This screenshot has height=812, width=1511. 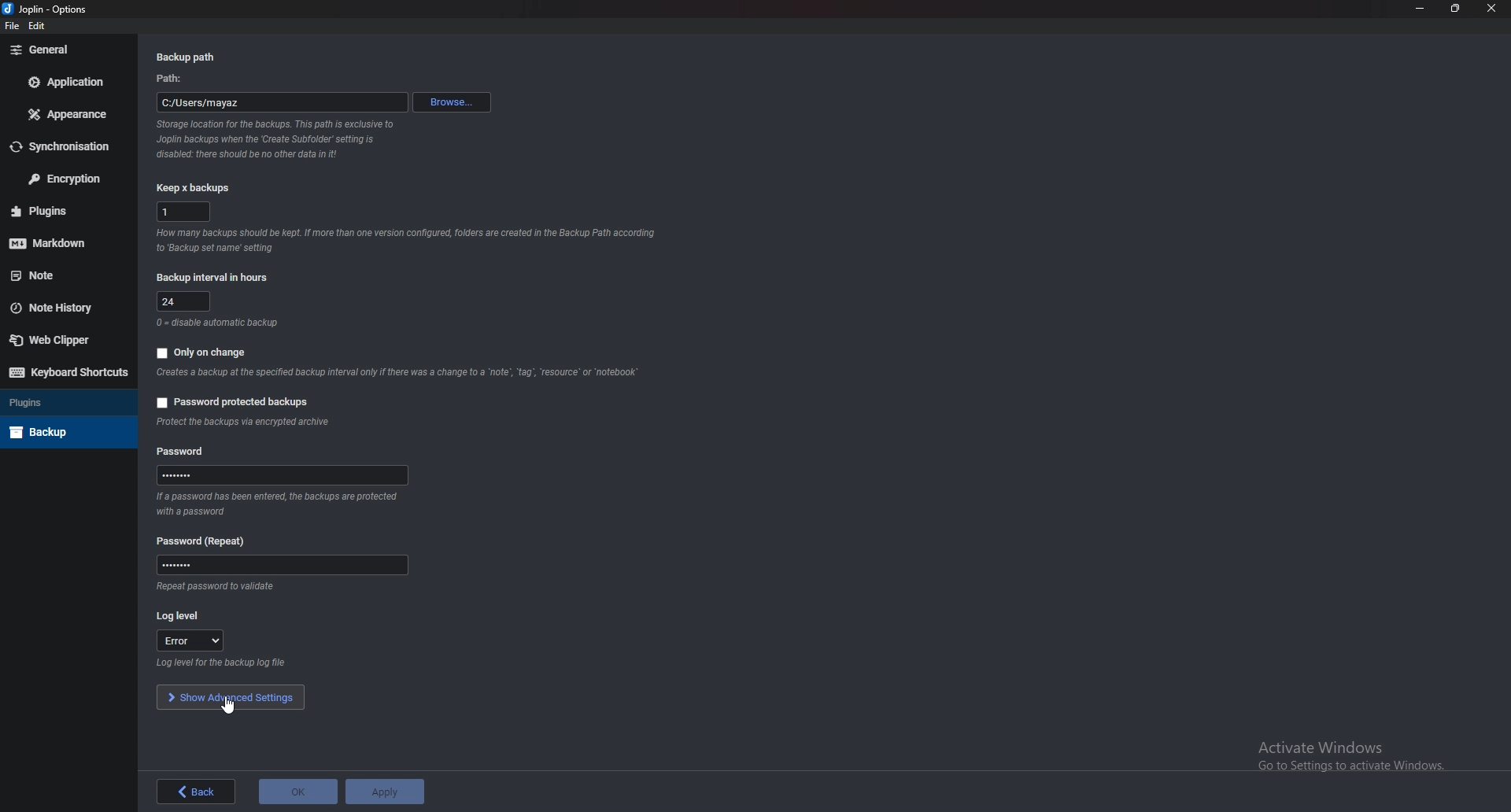 What do you see at coordinates (211, 352) in the screenshot?
I see `Only on change` at bounding box center [211, 352].